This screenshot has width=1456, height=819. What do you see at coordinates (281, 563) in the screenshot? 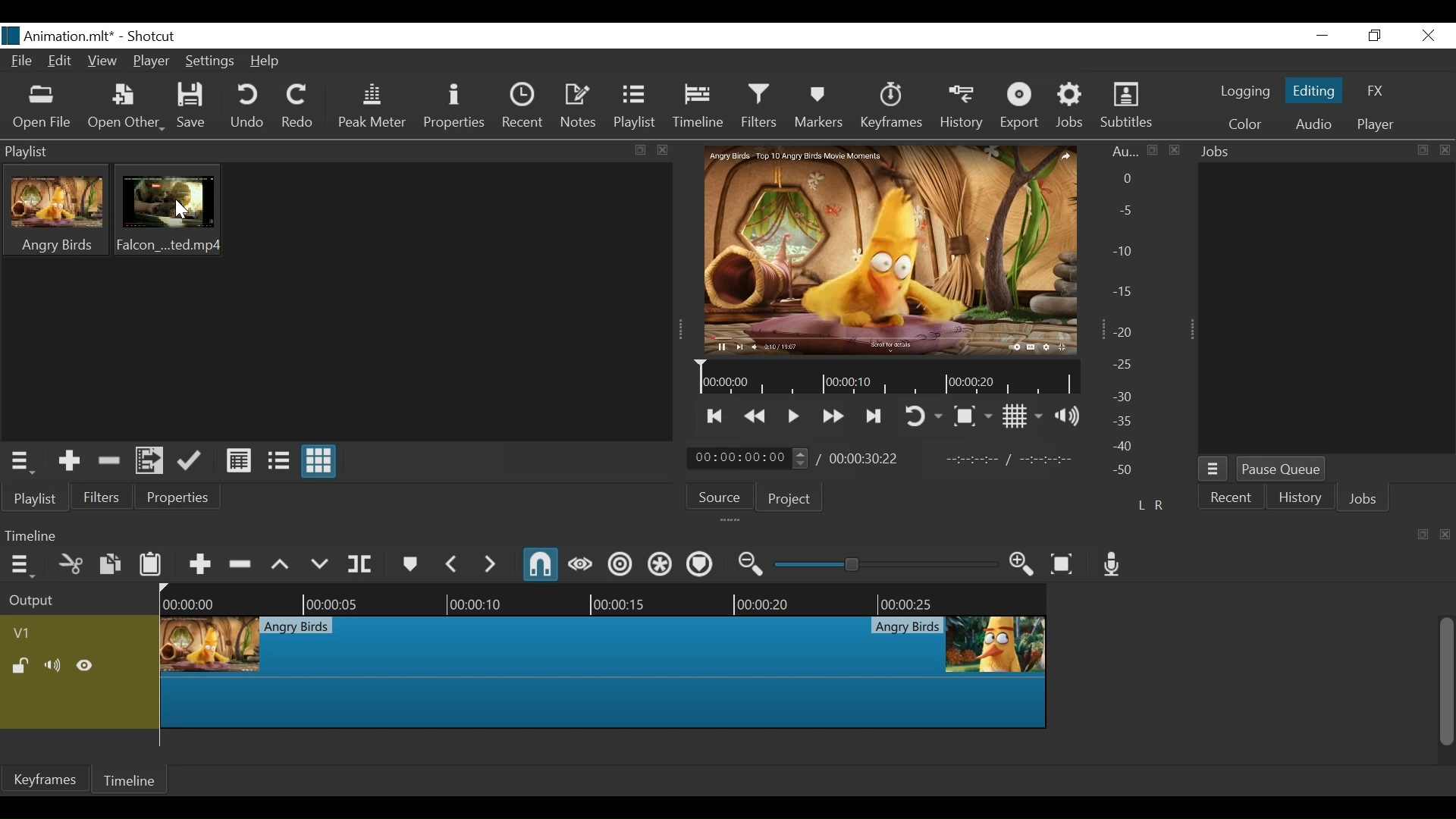
I see `Lift` at bounding box center [281, 563].